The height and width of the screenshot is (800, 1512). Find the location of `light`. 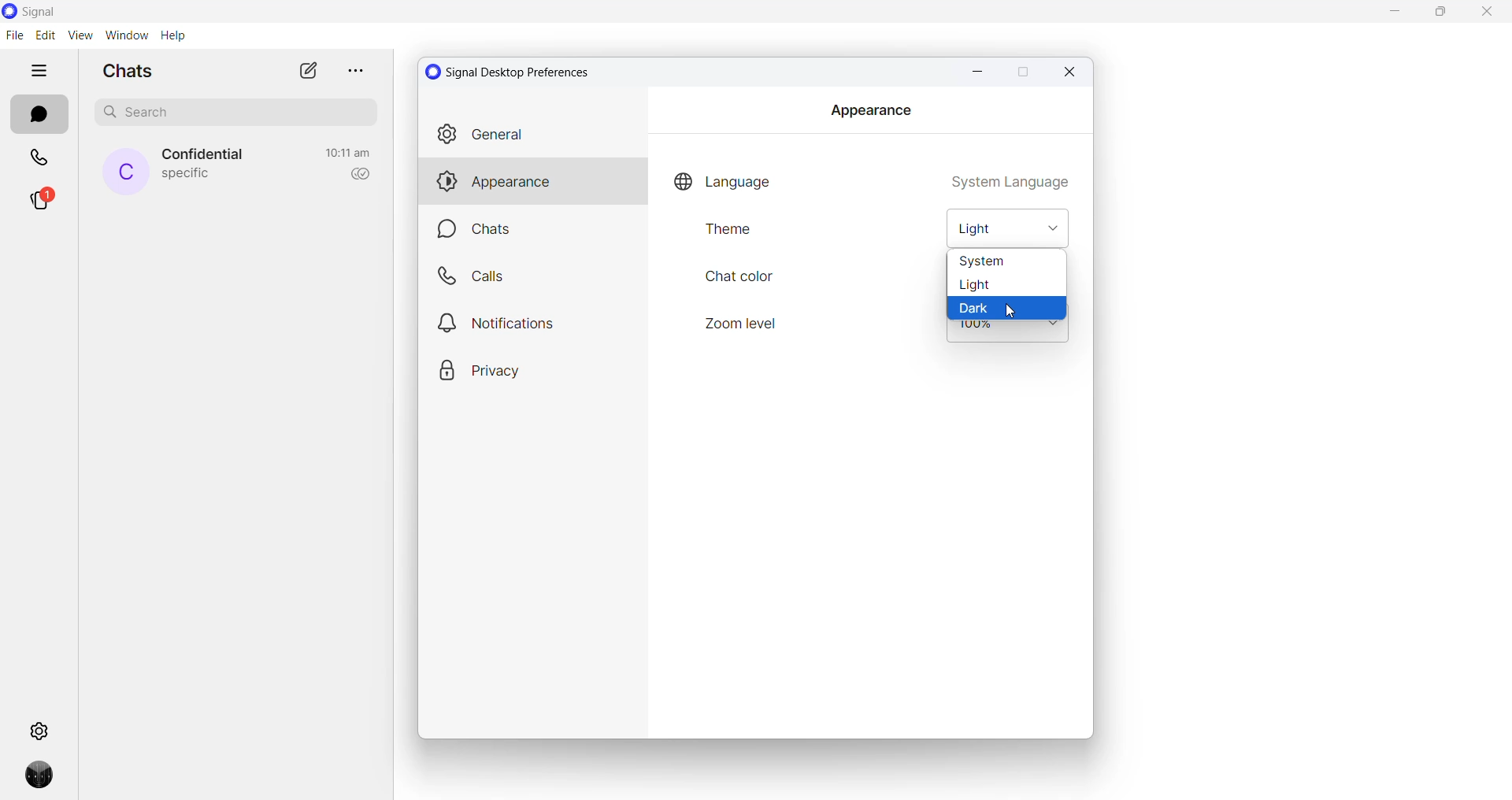

light is located at coordinates (1007, 284).